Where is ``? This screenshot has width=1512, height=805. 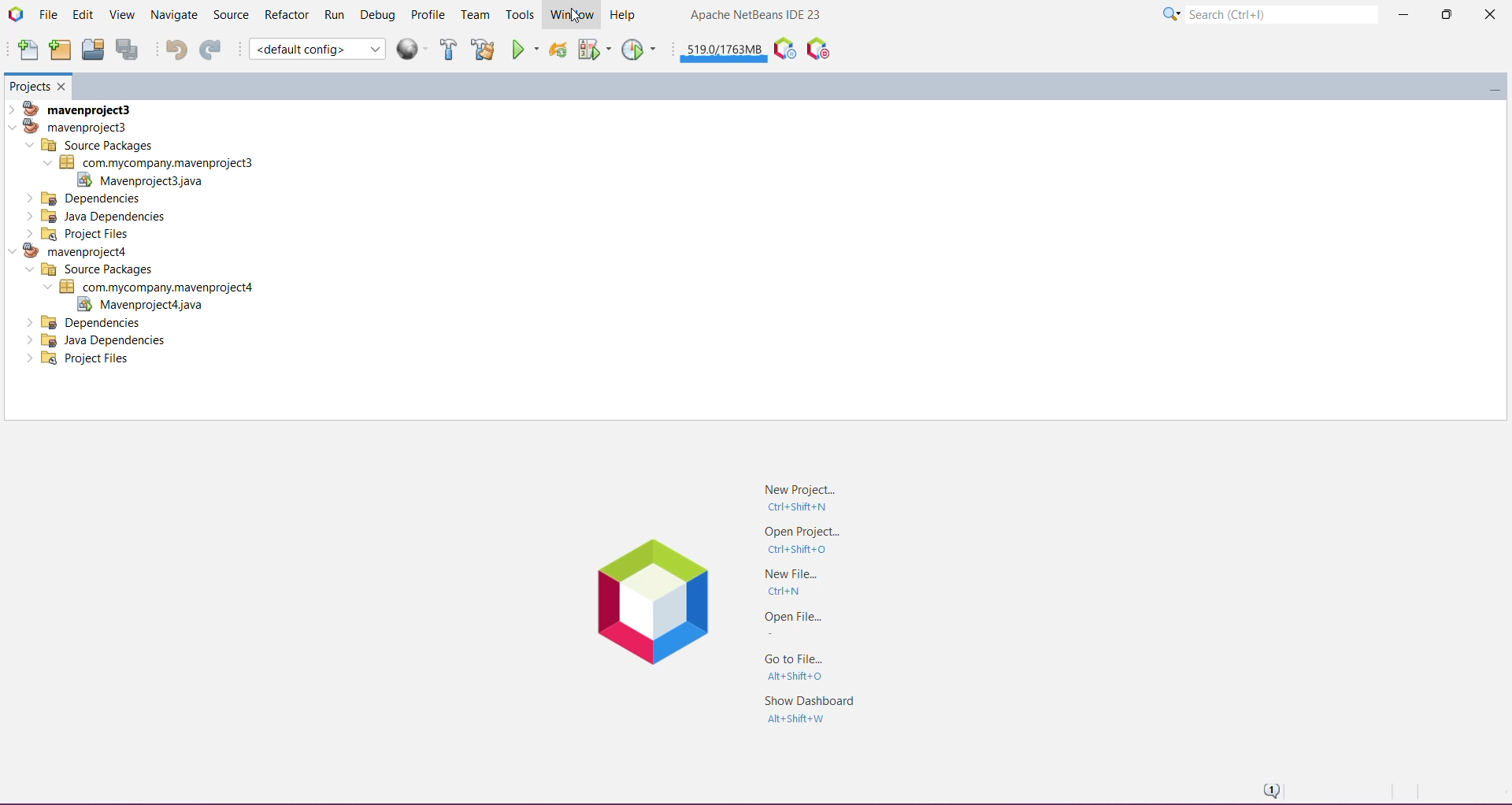
 is located at coordinates (86, 322).